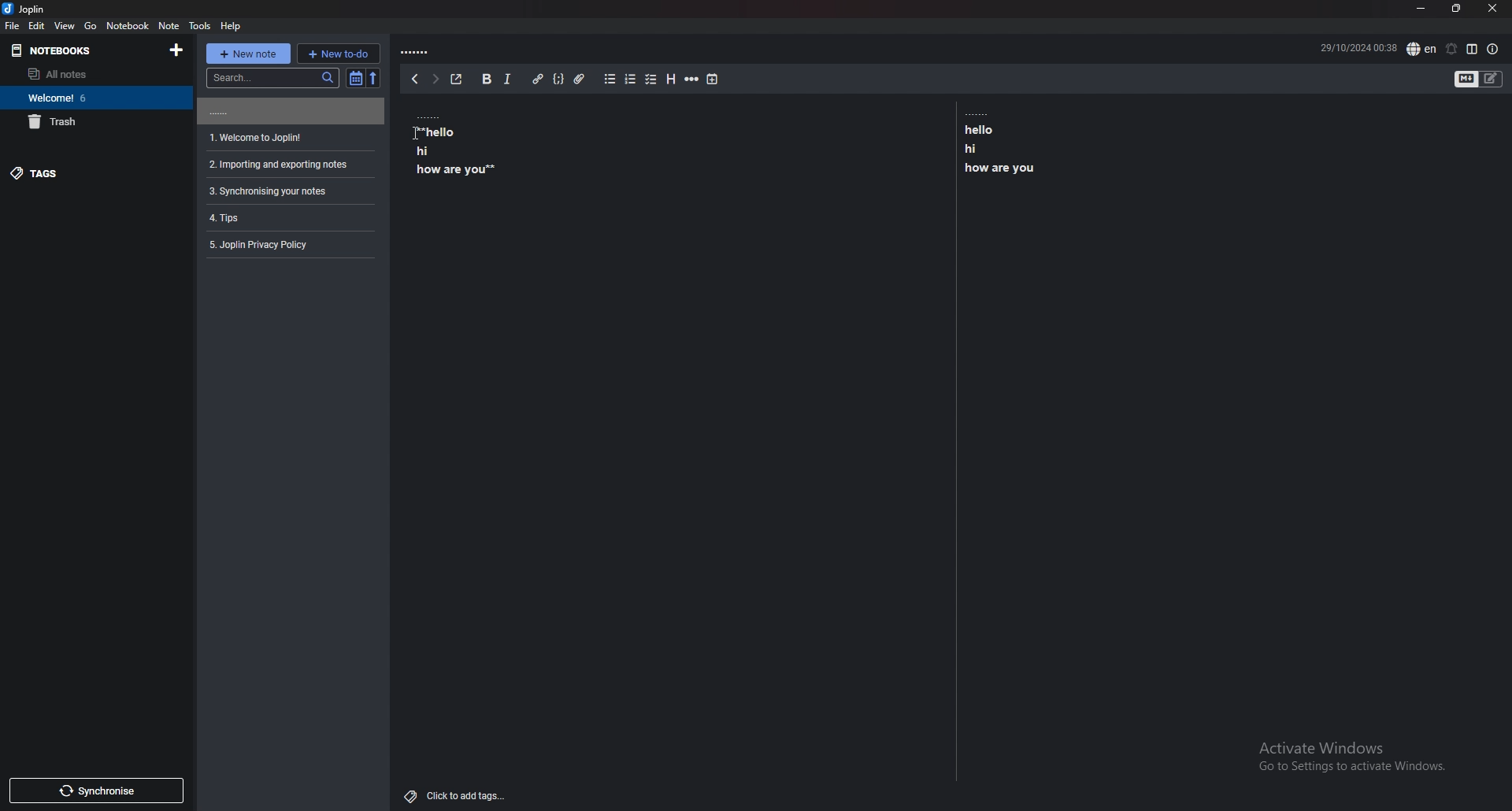 This screenshot has height=811, width=1512. Describe the element at coordinates (458, 80) in the screenshot. I see `toggle external editing` at that location.